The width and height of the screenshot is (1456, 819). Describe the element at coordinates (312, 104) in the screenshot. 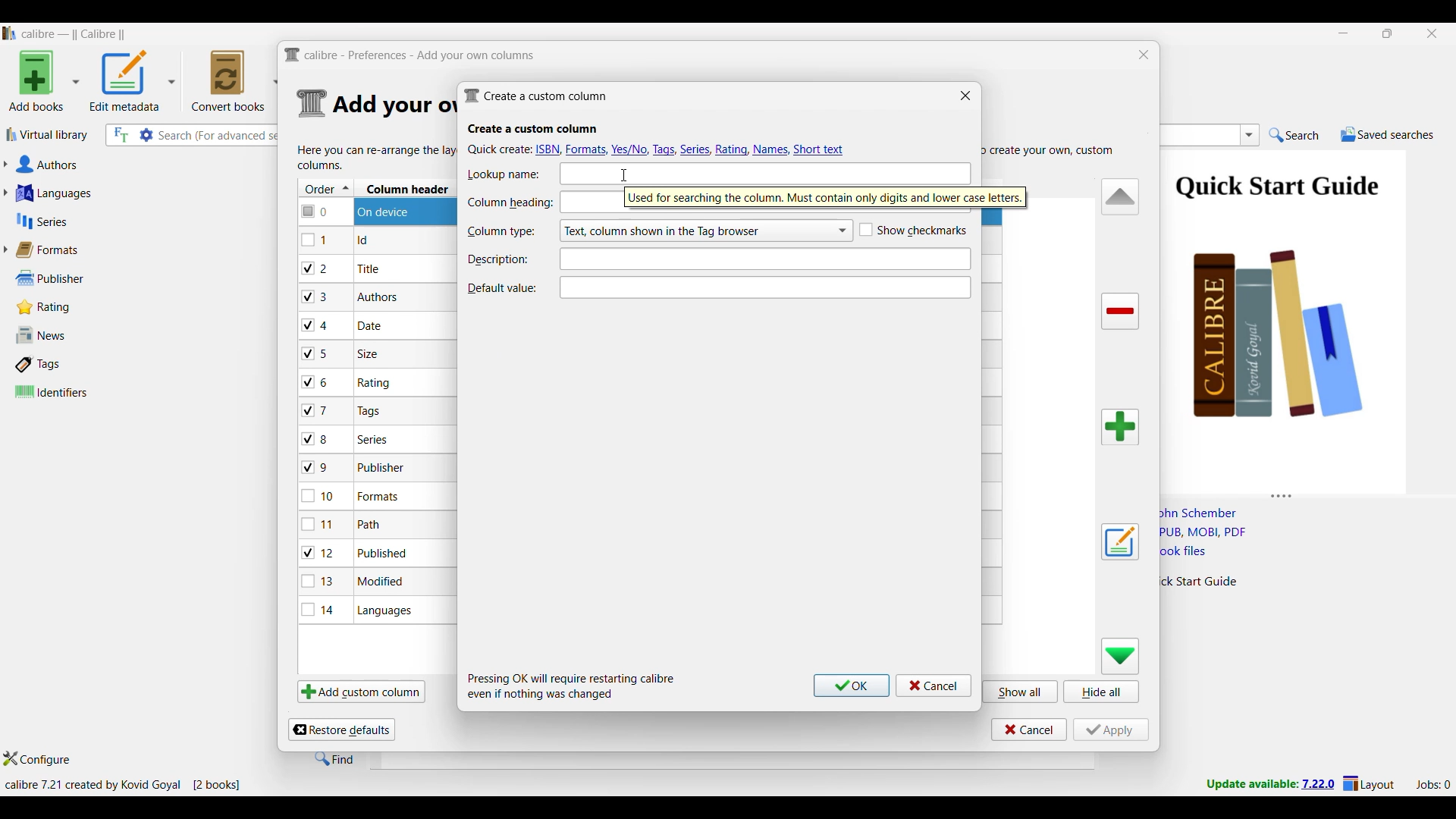

I see `Logo of current settings` at that location.